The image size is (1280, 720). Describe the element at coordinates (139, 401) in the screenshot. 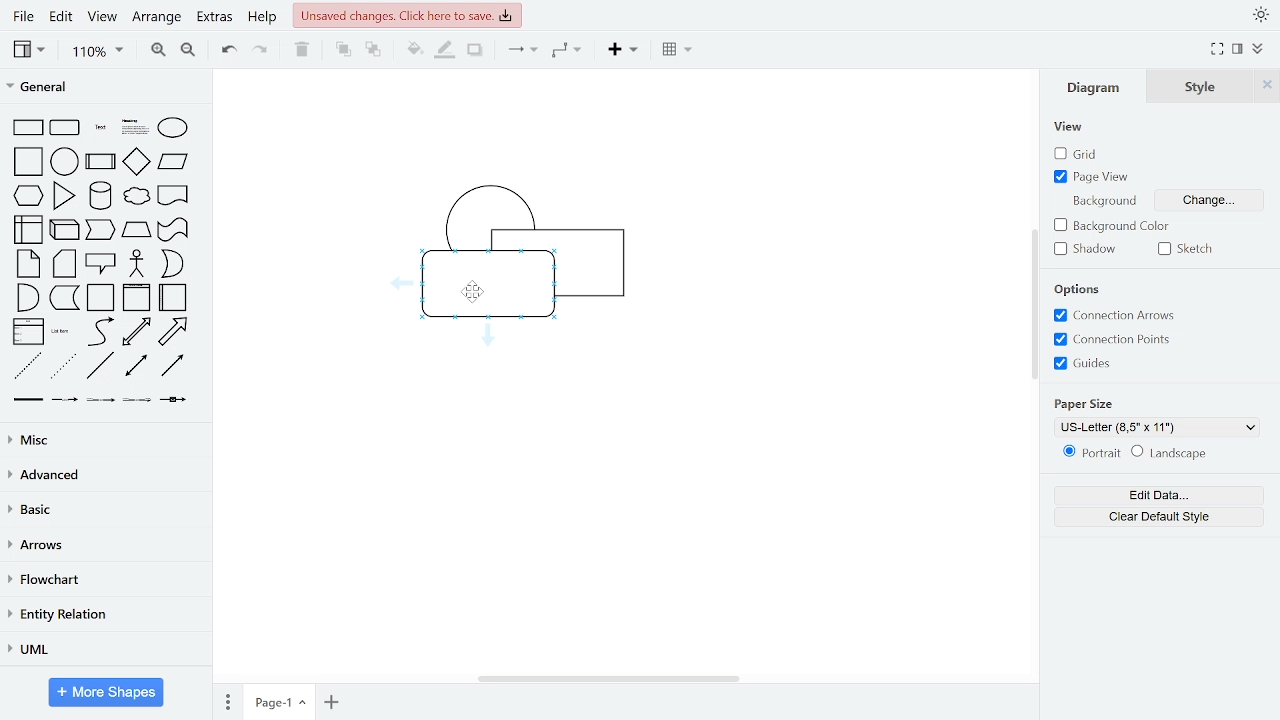

I see `connector with 3 label` at that location.